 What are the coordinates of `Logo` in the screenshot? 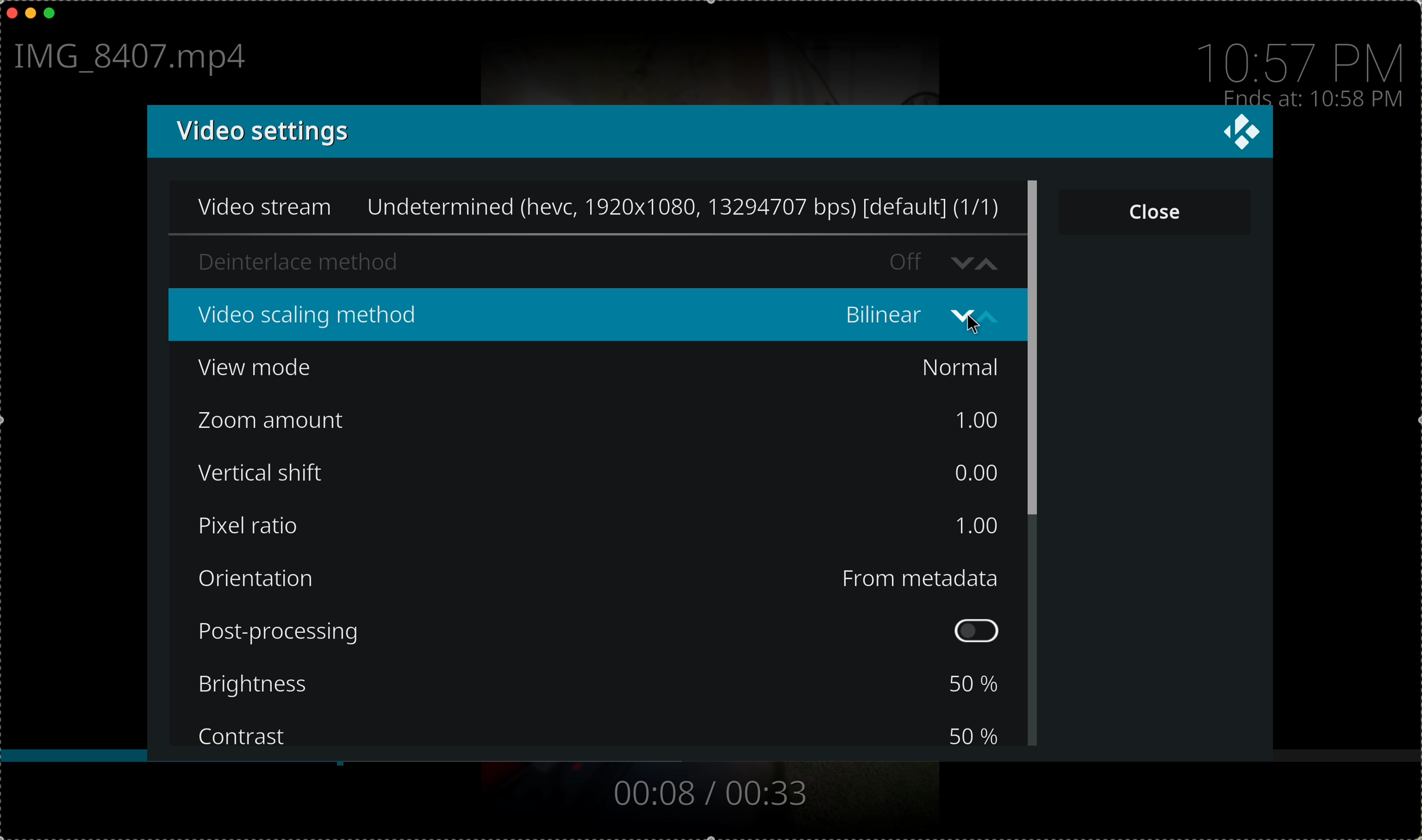 It's located at (1240, 133).